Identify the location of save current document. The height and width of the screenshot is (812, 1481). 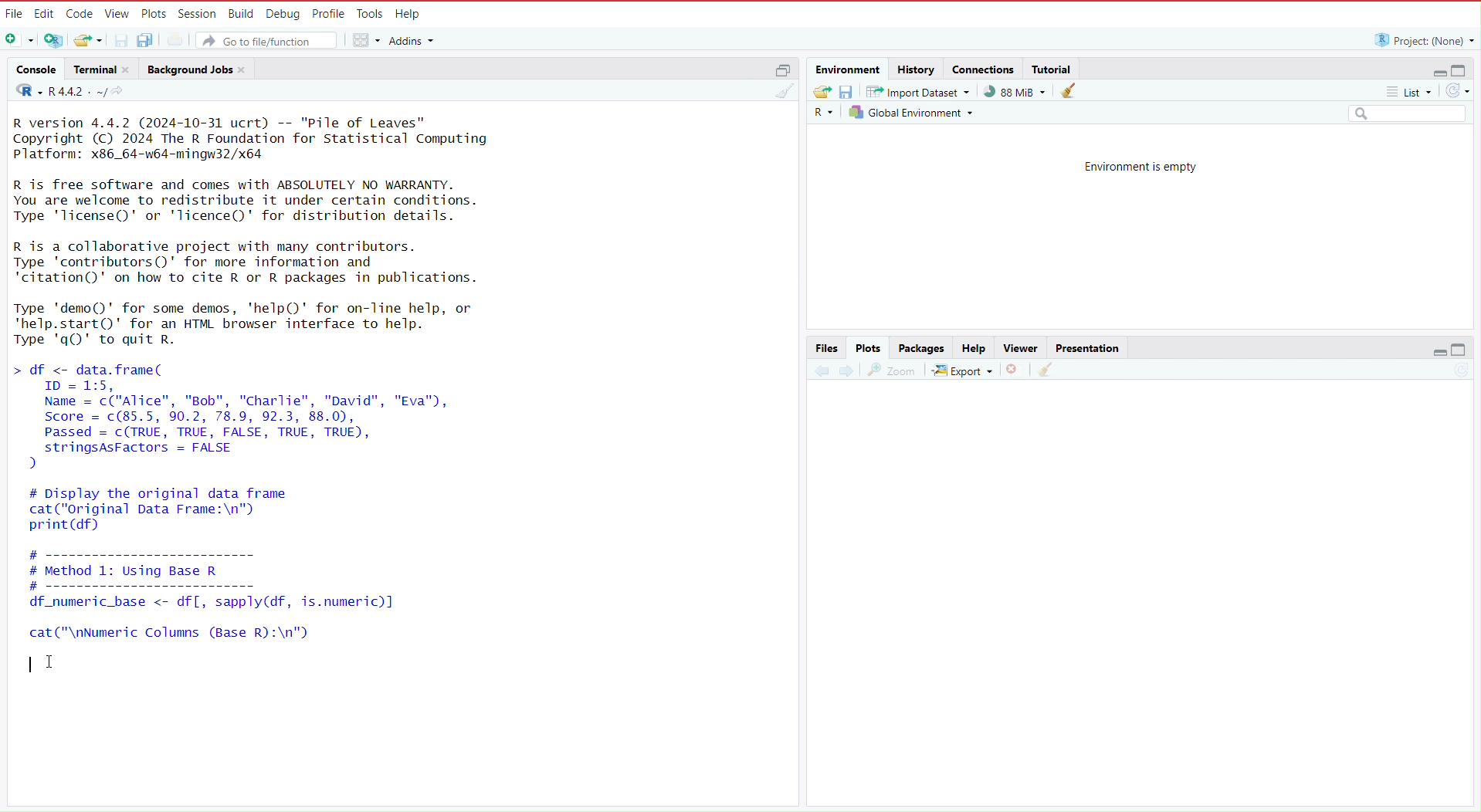
(121, 41).